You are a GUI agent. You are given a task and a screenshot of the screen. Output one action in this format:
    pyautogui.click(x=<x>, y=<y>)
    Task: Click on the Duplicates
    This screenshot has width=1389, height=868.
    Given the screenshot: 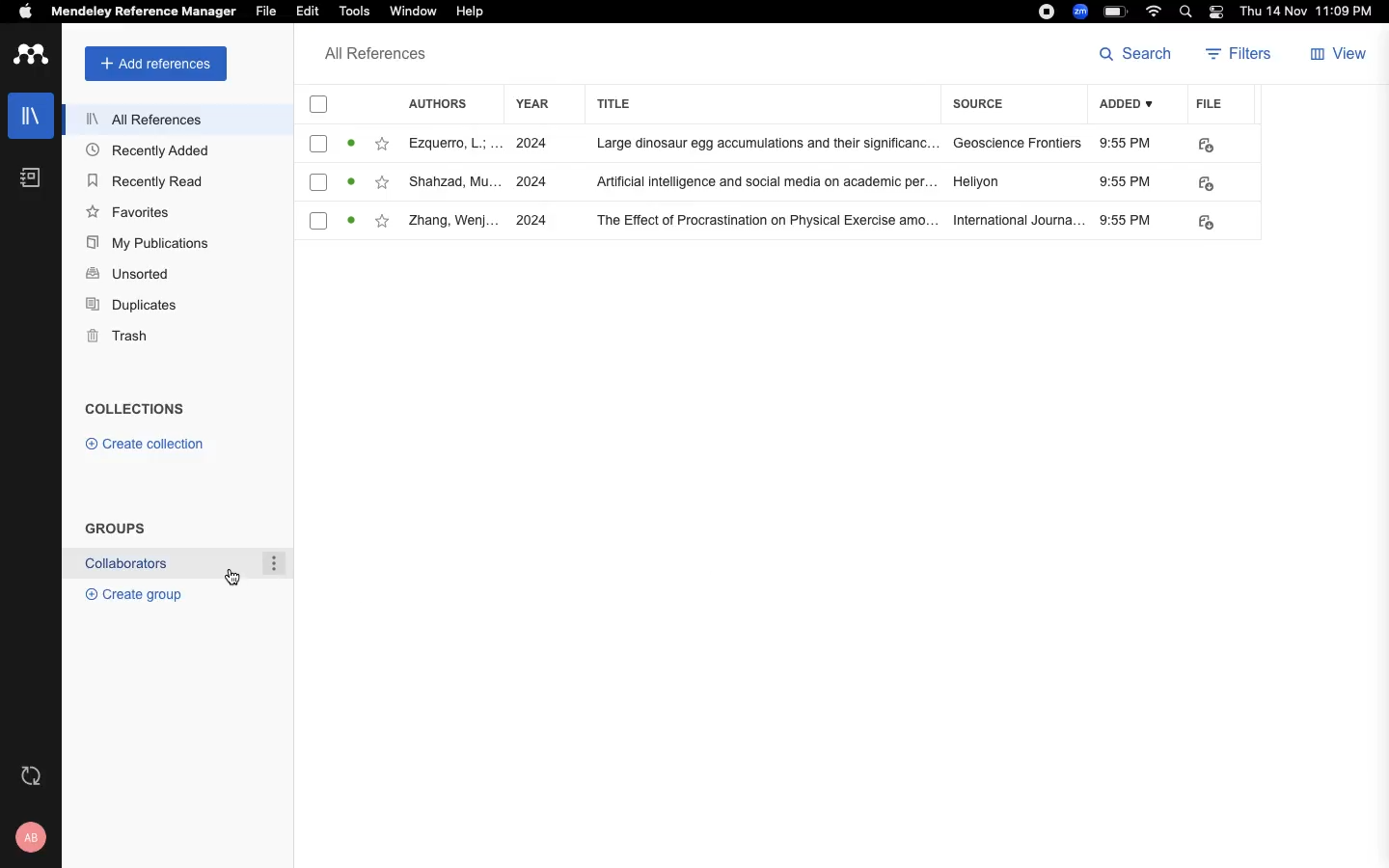 What is the action you would take?
    pyautogui.click(x=133, y=306)
    